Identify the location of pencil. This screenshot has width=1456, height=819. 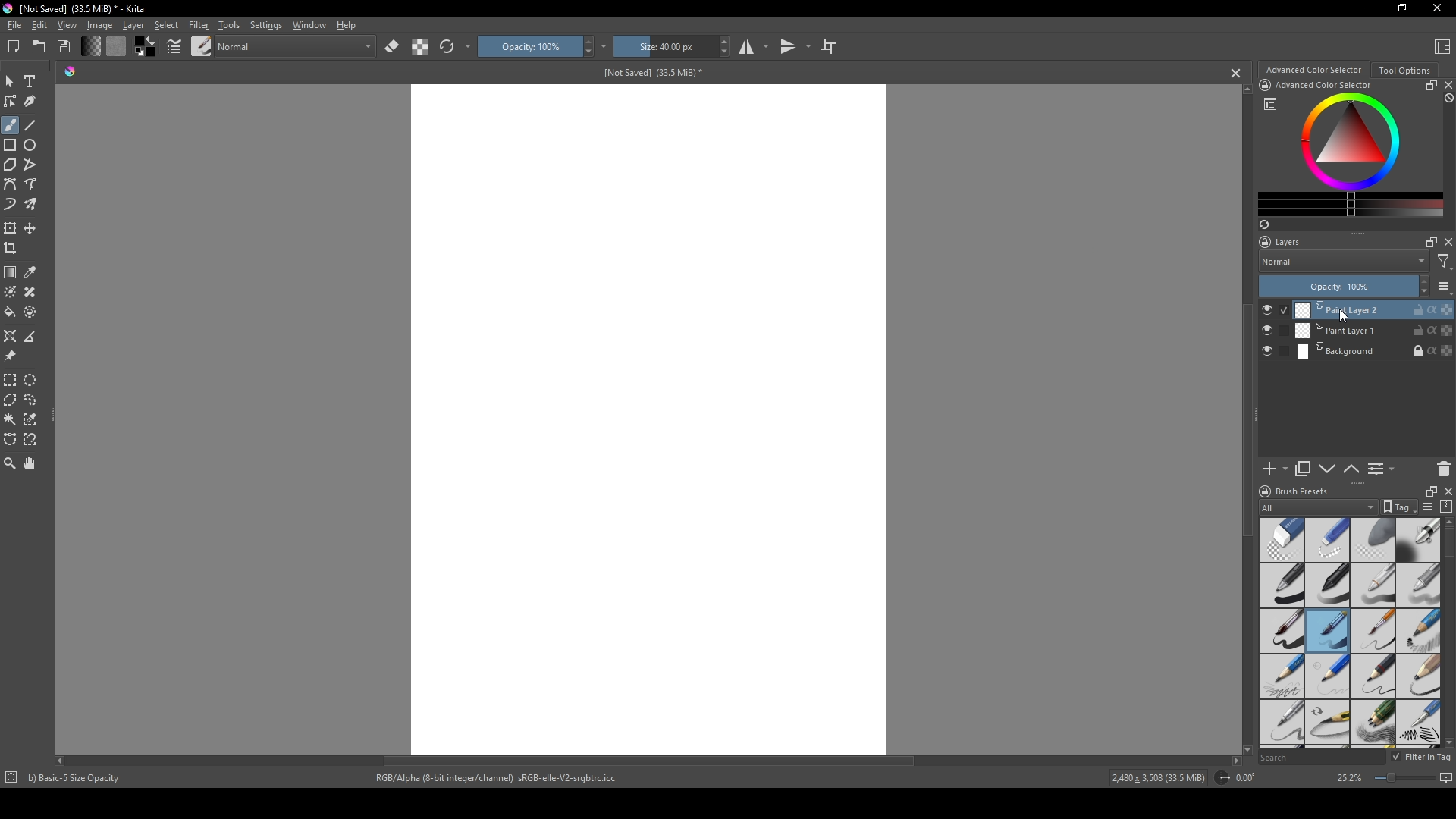
(1280, 676).